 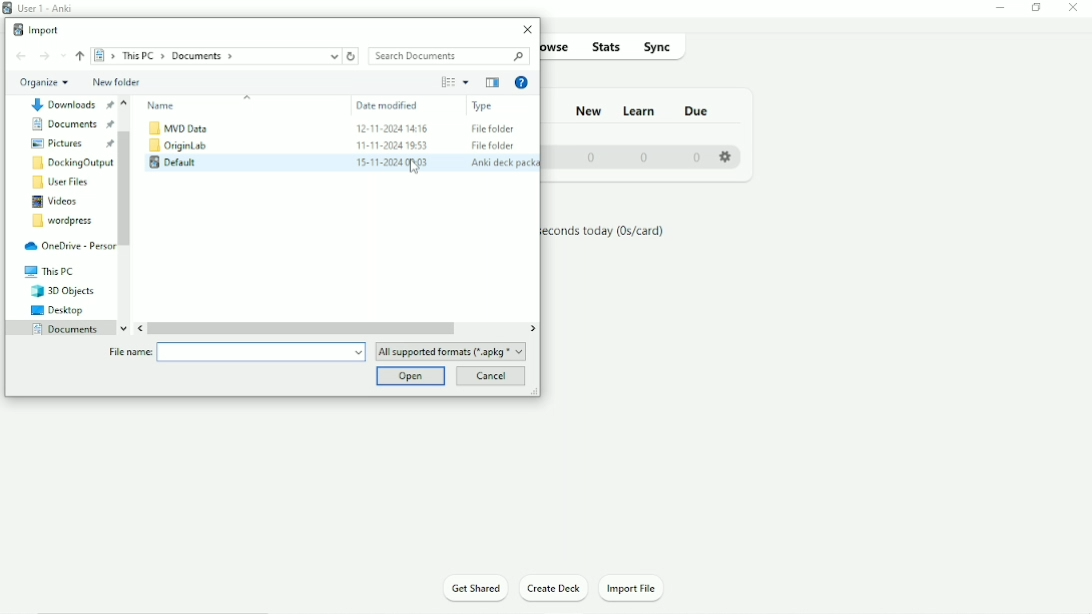 What do you see at coordinates (35, 29) in the screenshot?
I see `Import` at bounding box center [35, 29].